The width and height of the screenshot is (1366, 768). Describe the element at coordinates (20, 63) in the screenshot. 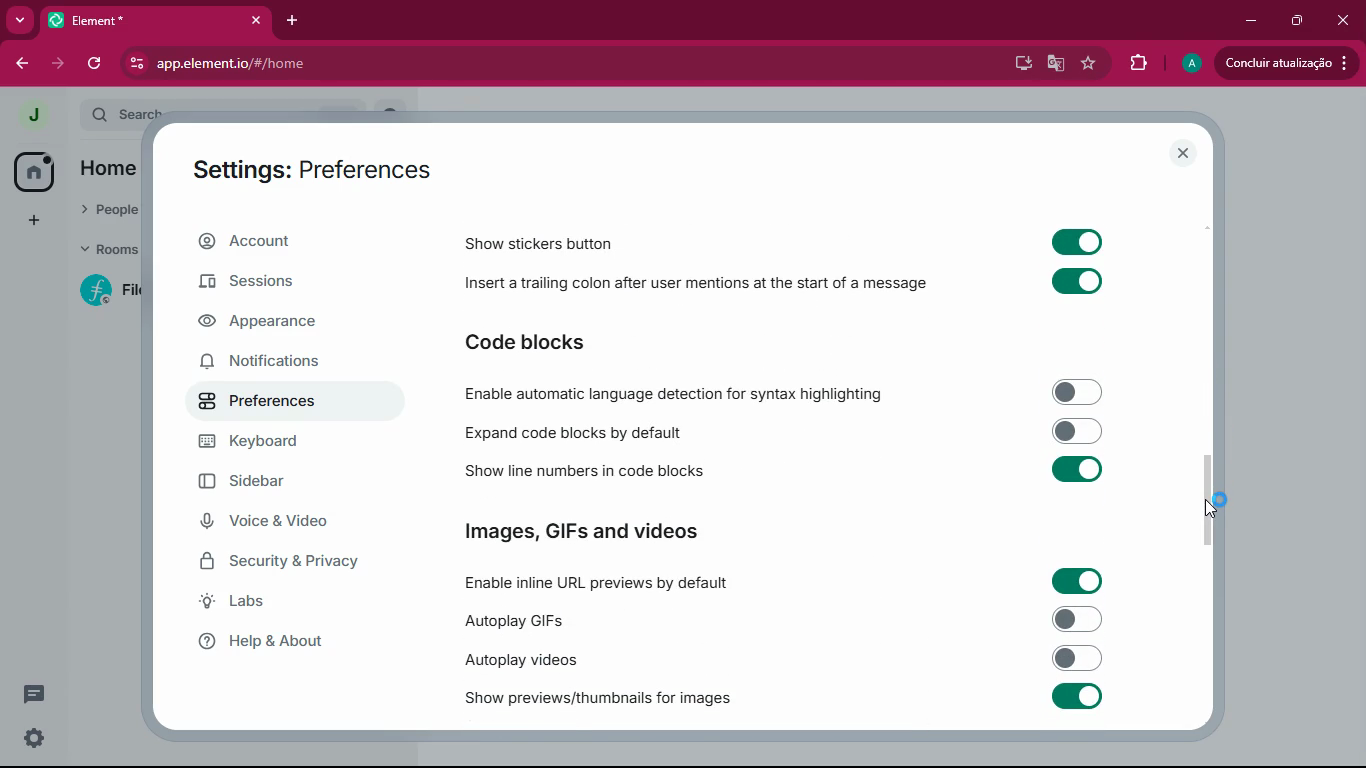

I see `back` at that location.